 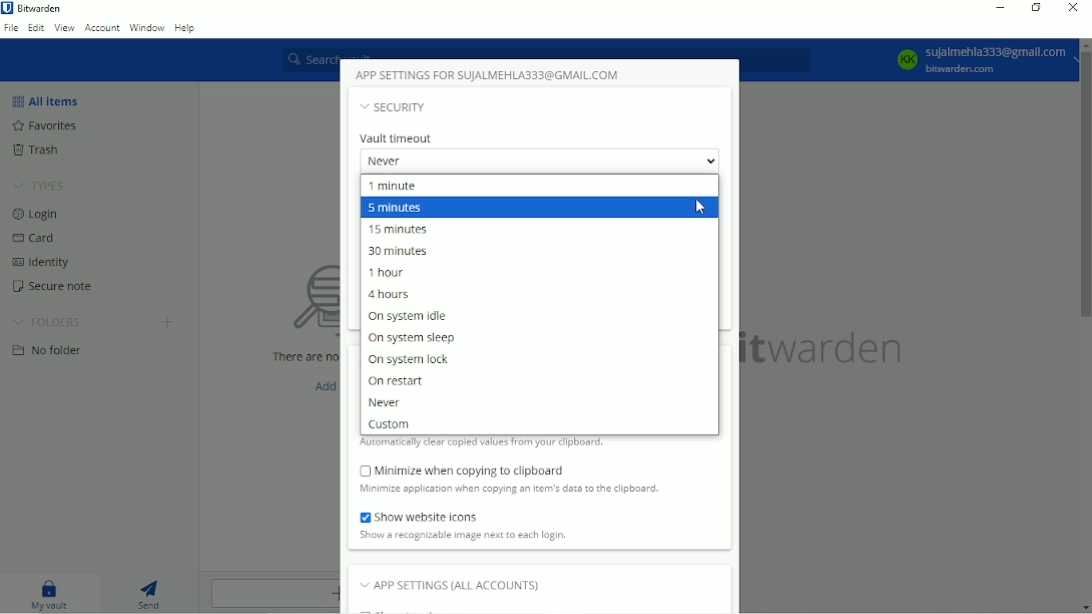 I want to click on Show a recognizable image next to each login., so click(x=463, y=535).